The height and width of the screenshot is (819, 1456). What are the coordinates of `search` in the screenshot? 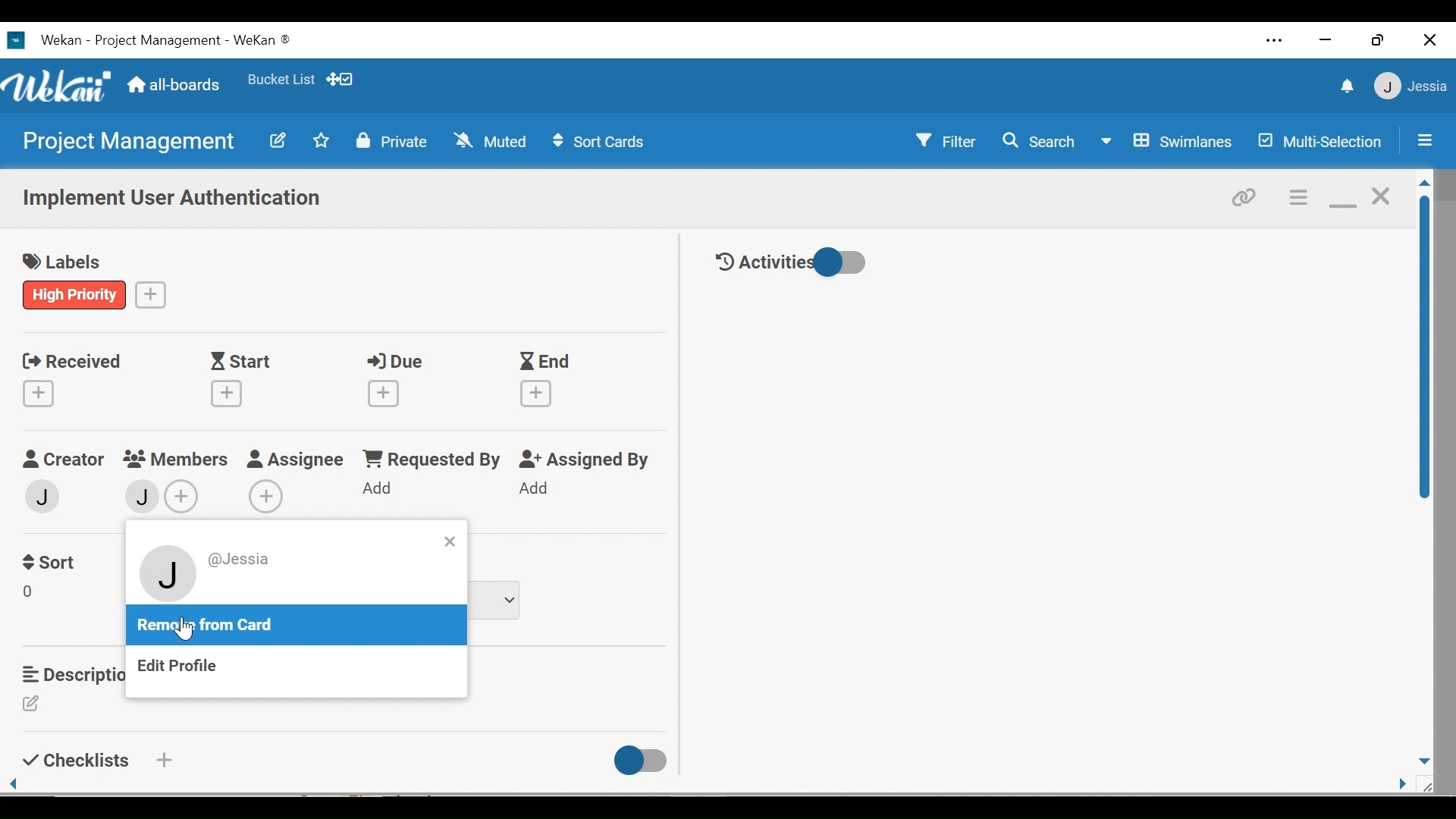 It's located at (1038, 142).